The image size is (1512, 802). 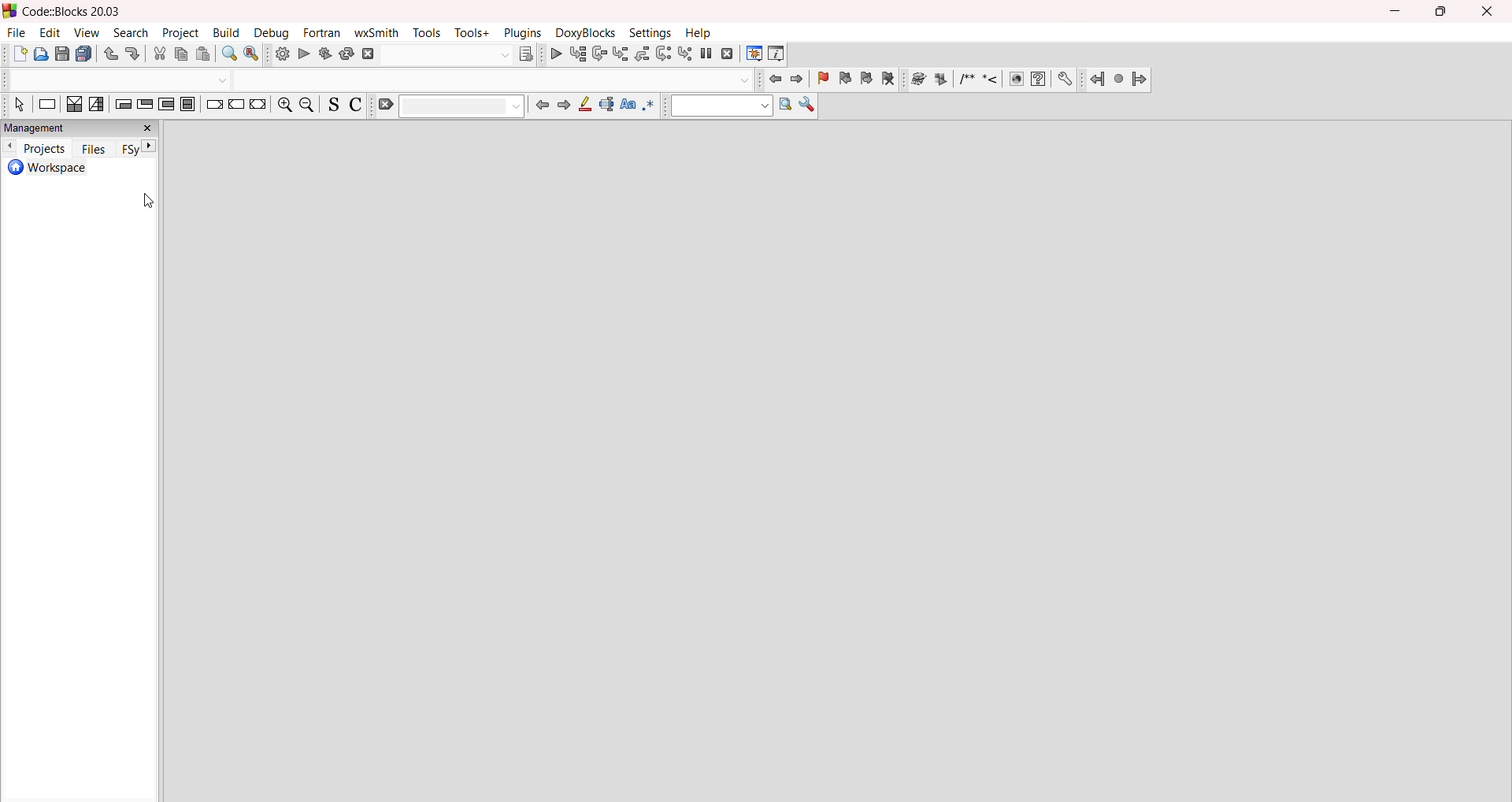 I want to click on step into instruction, so click(x=685, y=54).